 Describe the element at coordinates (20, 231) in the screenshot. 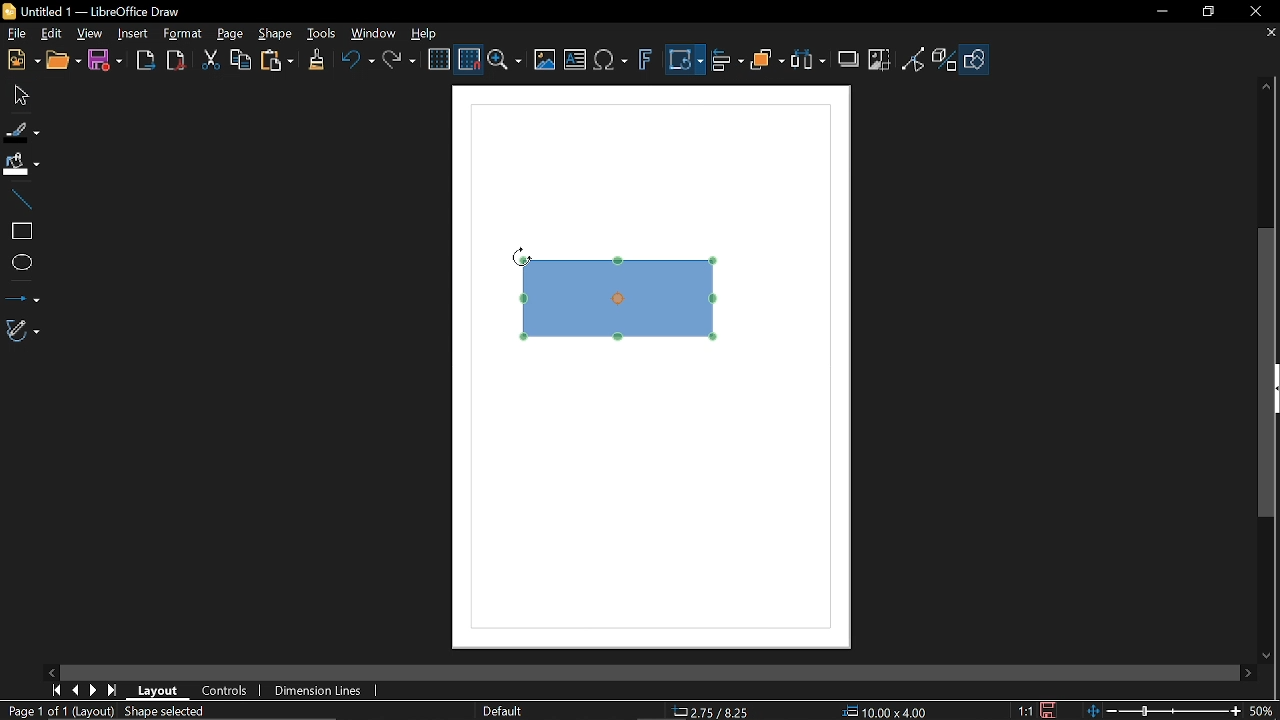

I see `Rectangle` at that location.